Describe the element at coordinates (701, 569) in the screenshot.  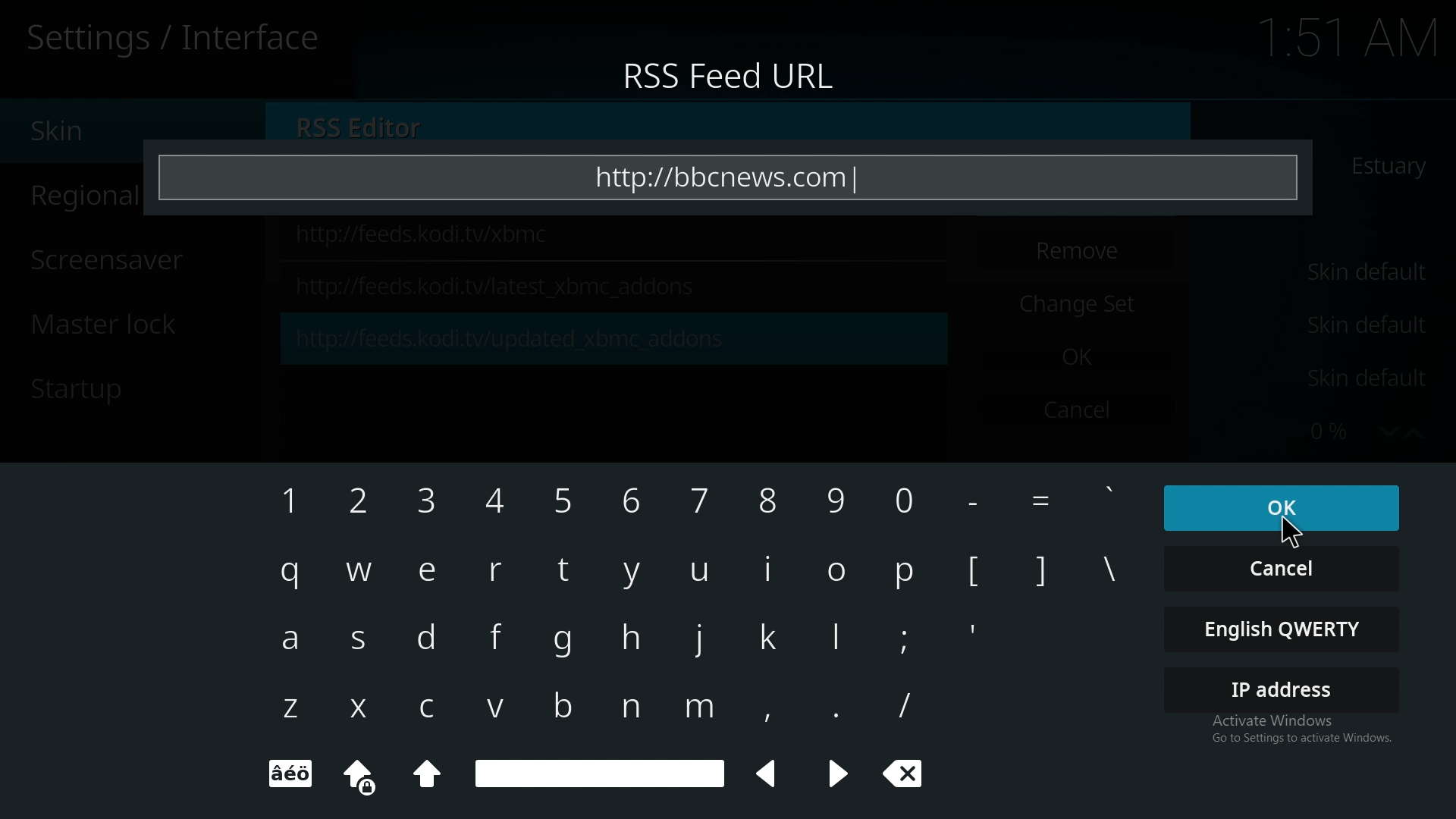
I see `keyboard Input` at that location.